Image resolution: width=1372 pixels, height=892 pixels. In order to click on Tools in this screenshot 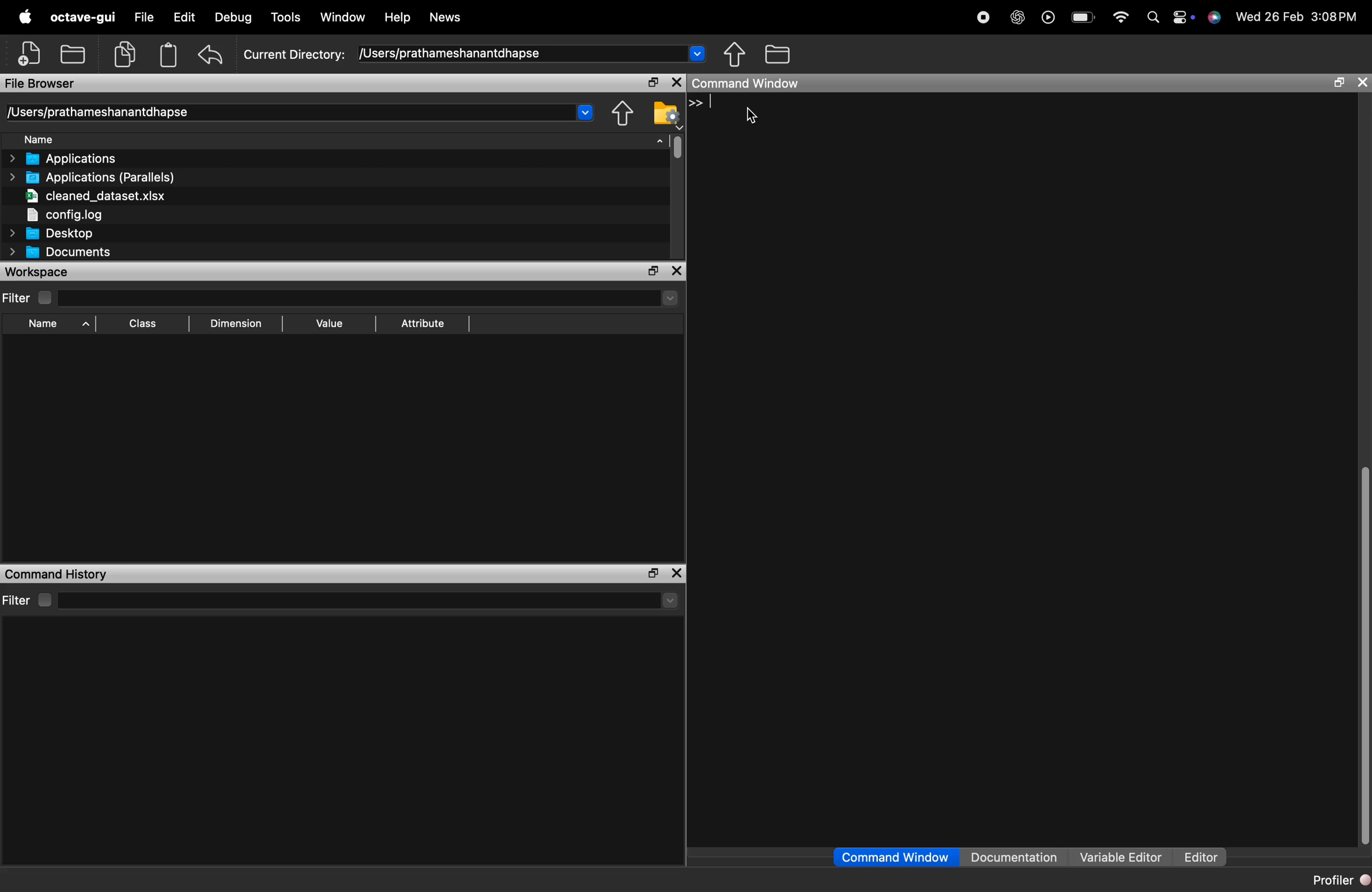, I will do `click(288, 18)`.